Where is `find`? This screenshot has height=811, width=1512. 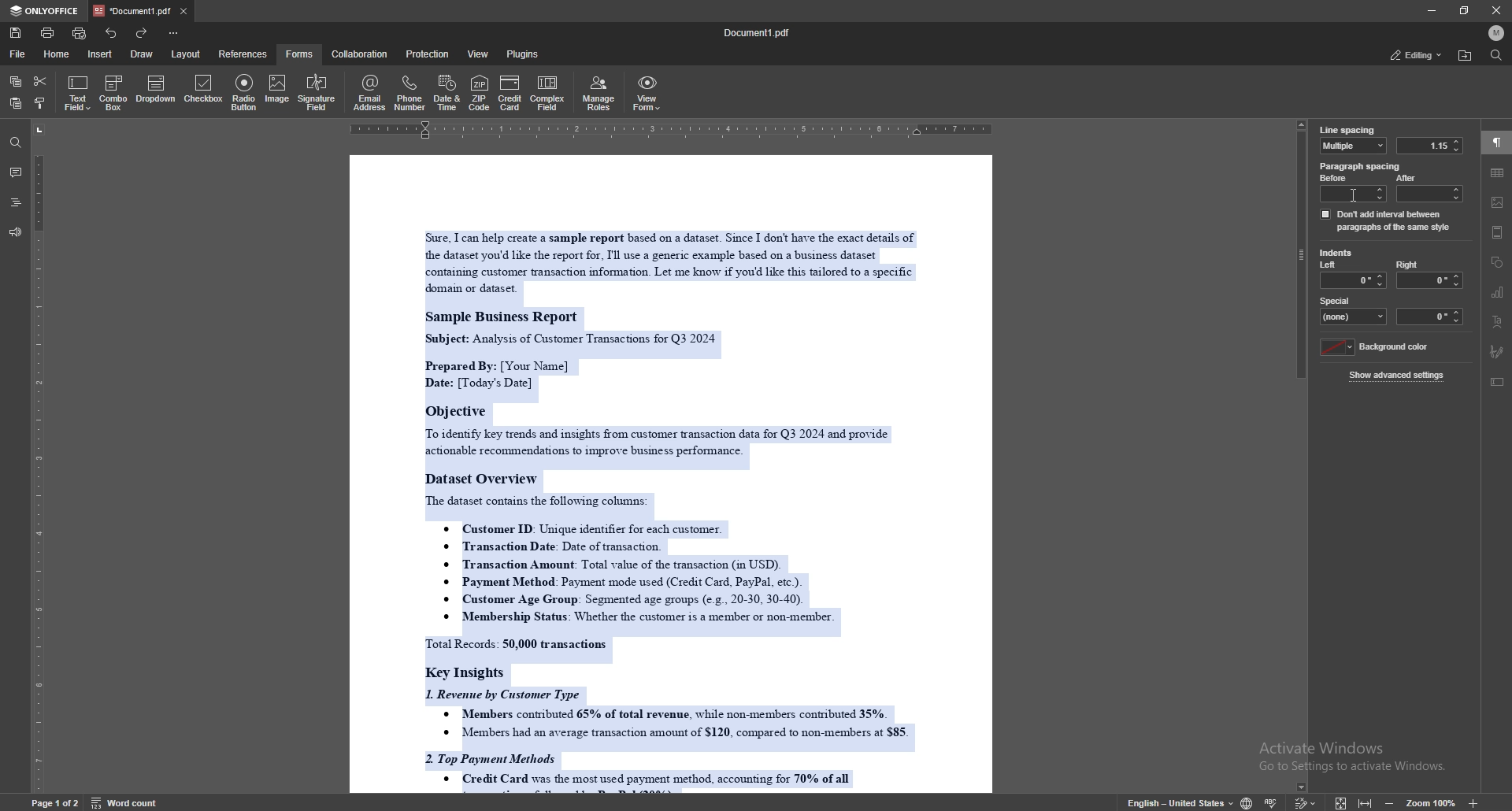 find is located at coordinates (16, 143).